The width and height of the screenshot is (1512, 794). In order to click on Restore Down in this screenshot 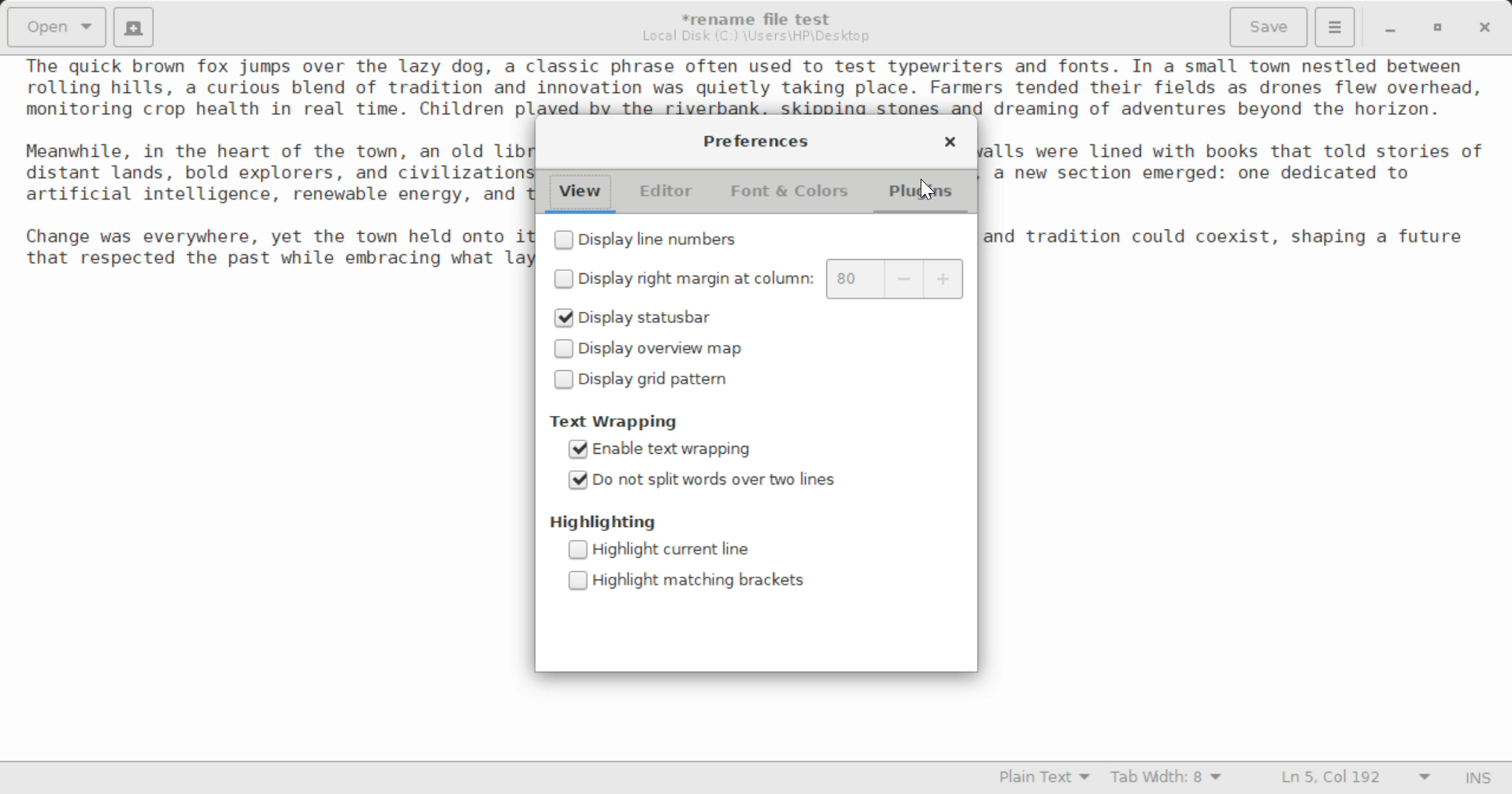, I will do `click(1388, 28)`.